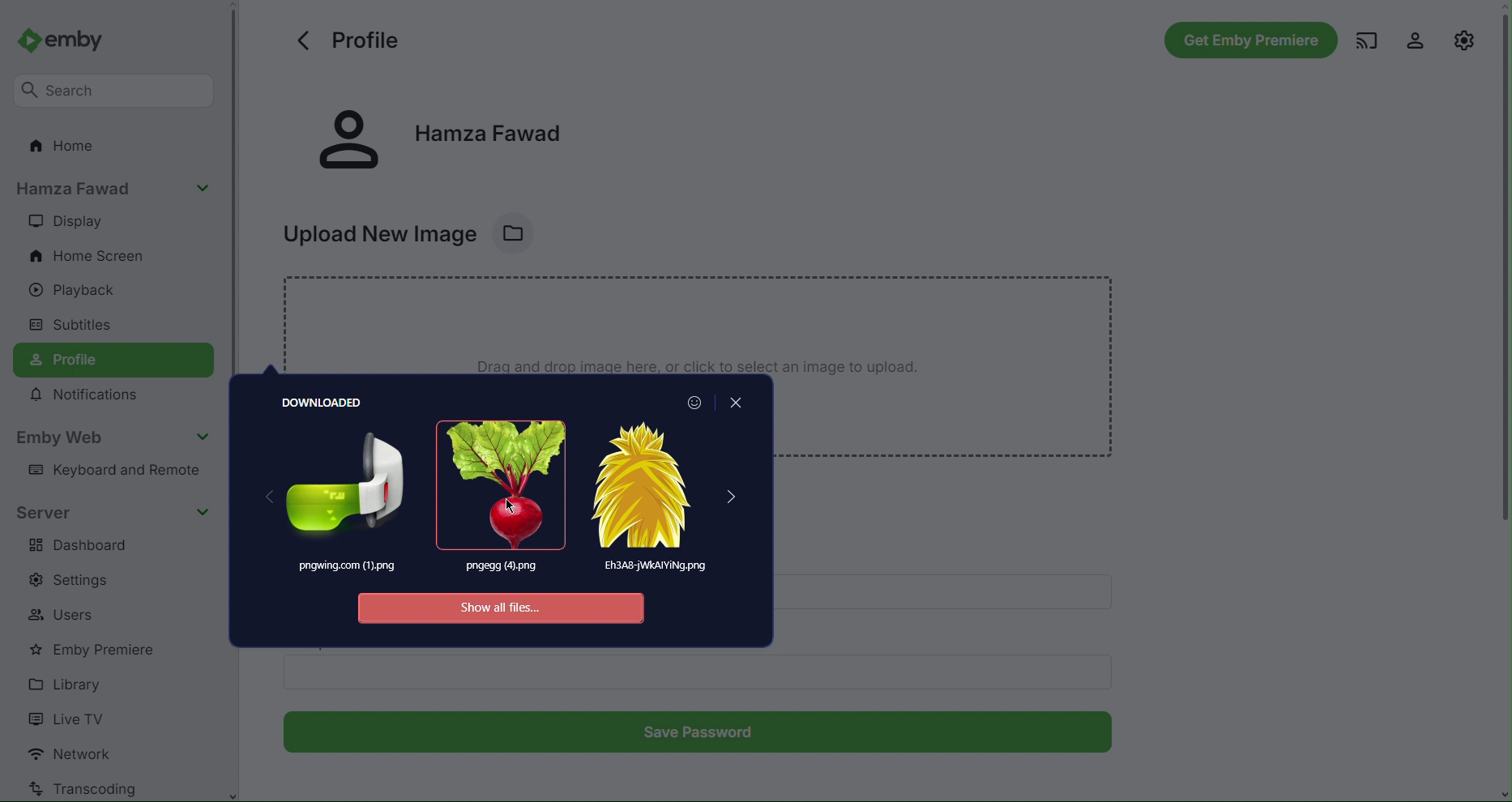  I want to click on Search, so click(117, 88).